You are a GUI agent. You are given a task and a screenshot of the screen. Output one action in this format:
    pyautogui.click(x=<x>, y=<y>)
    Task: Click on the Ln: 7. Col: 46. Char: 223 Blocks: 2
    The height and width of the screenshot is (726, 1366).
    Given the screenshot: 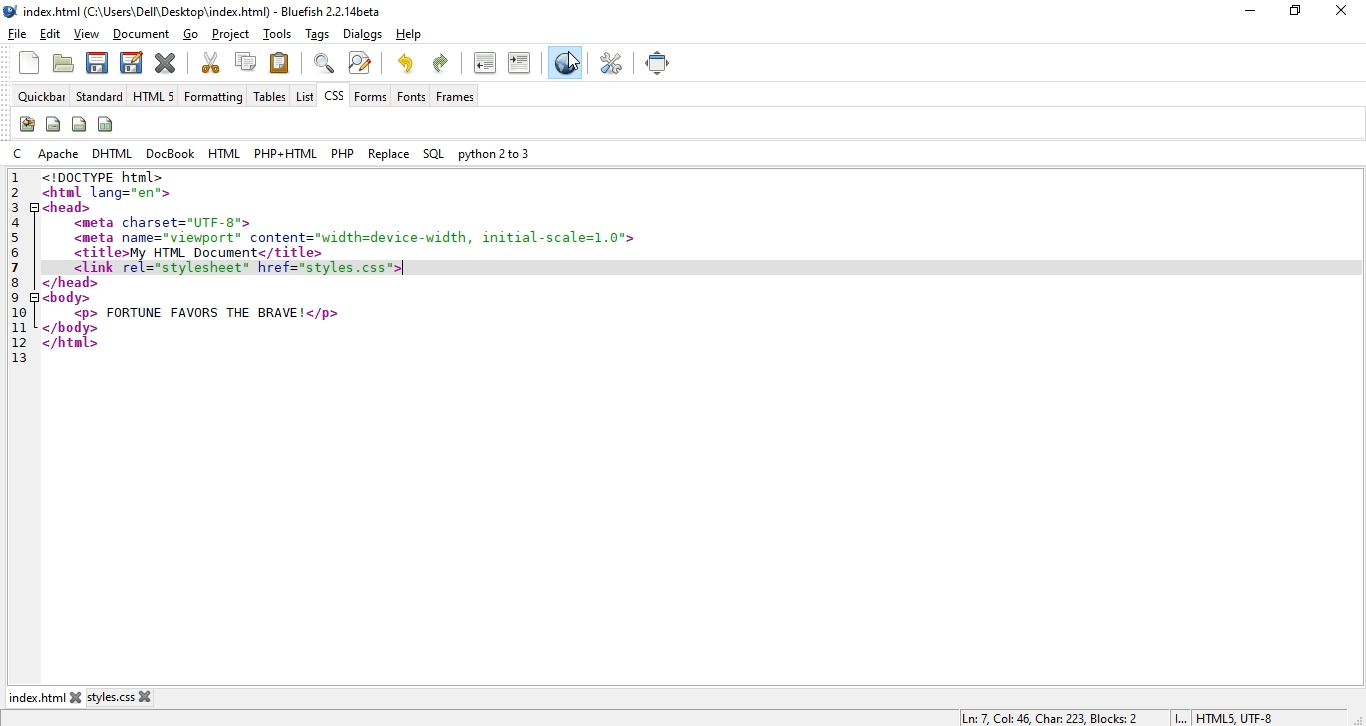 What is the action you would take?
    pyautogui.click(x=1050, y=717)
    